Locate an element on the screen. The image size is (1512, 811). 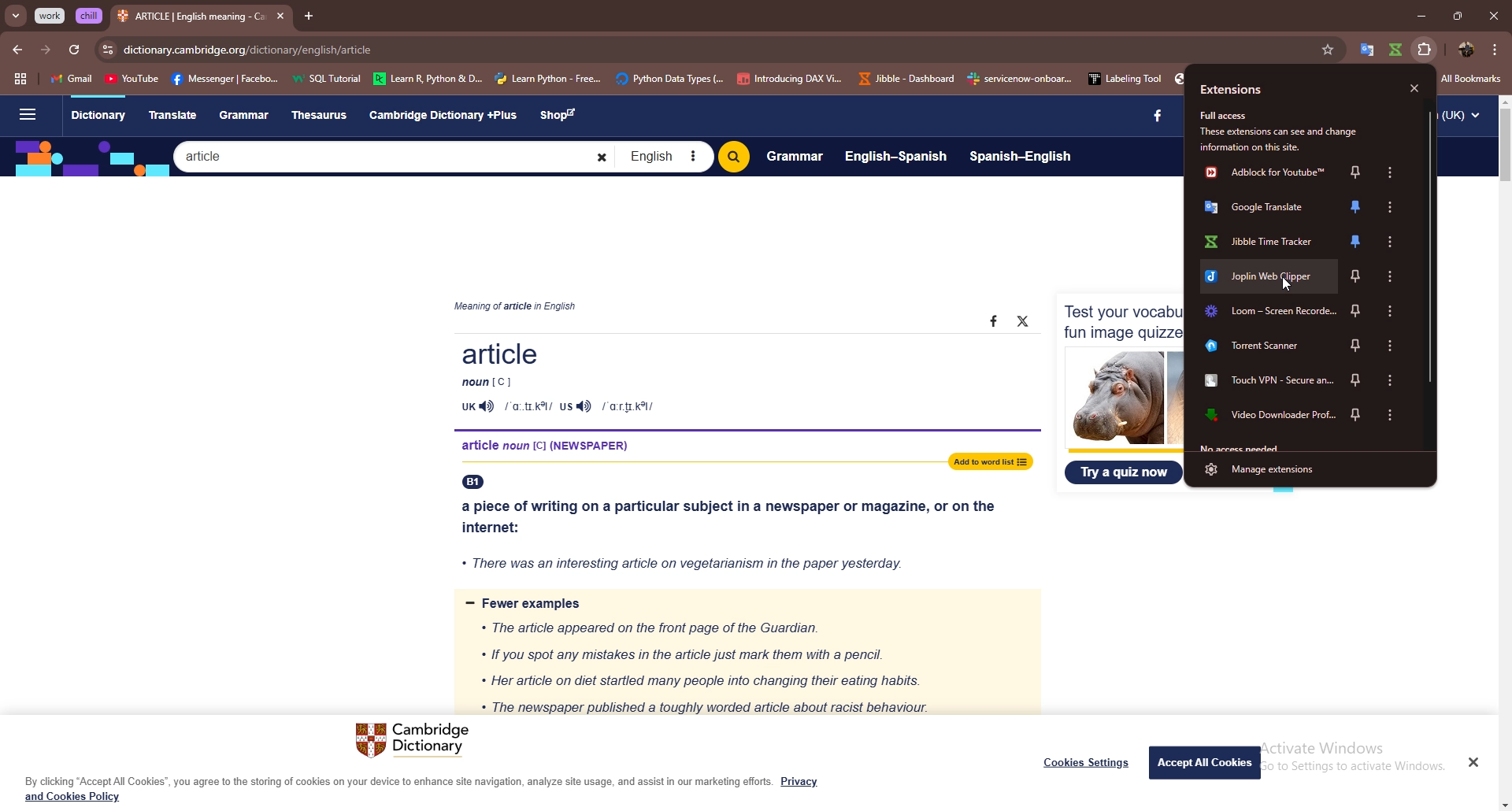
extension is located at coordinates (1264, 417).